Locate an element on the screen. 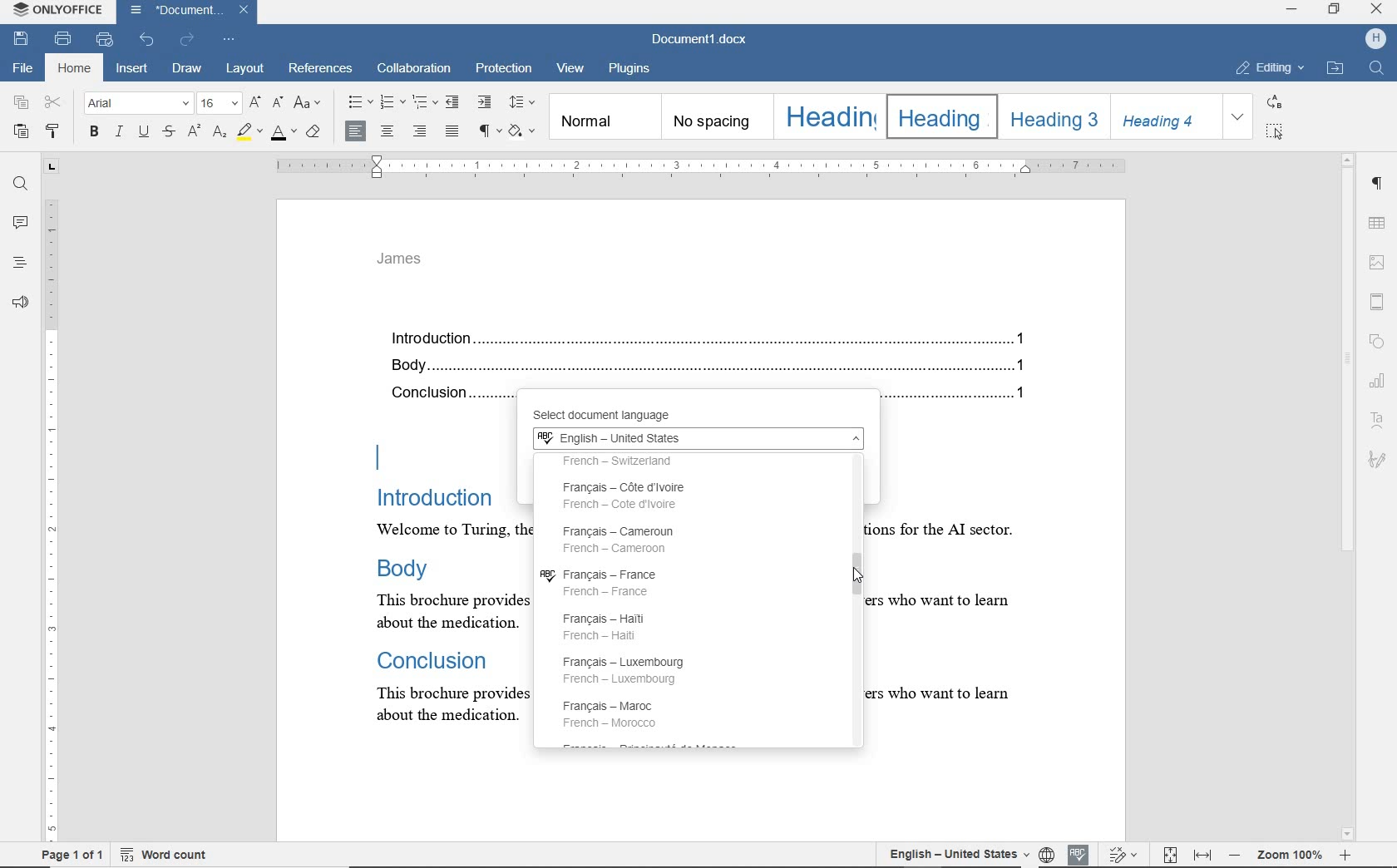 Image resolution: width=1397 pixels, height=868 pixels. underline is located at coordinates (146, 133).